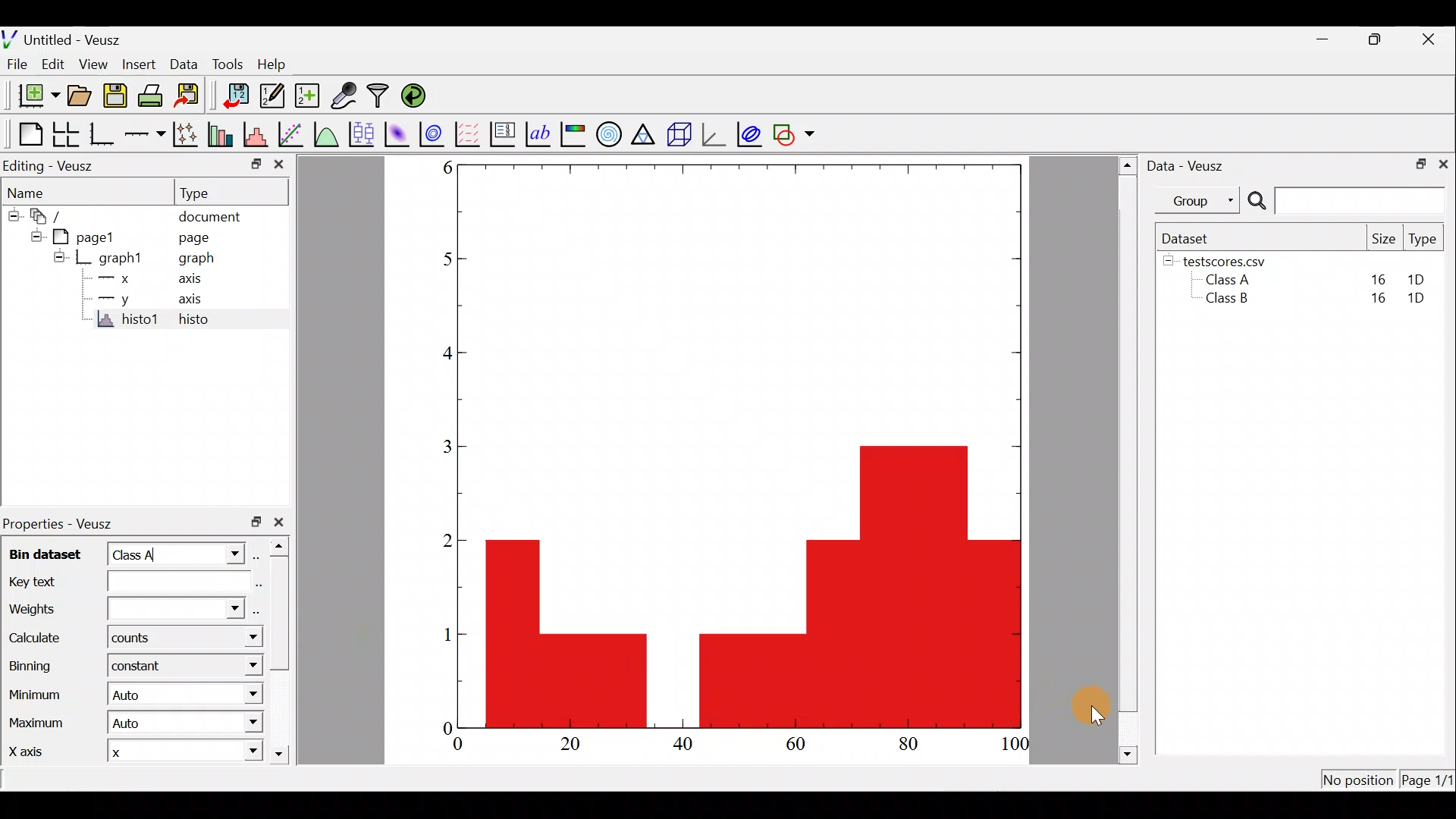  What do you see at coordinates (1423, 240) in the screenshot?
I see `Type` at bounding box center [1423, 240].